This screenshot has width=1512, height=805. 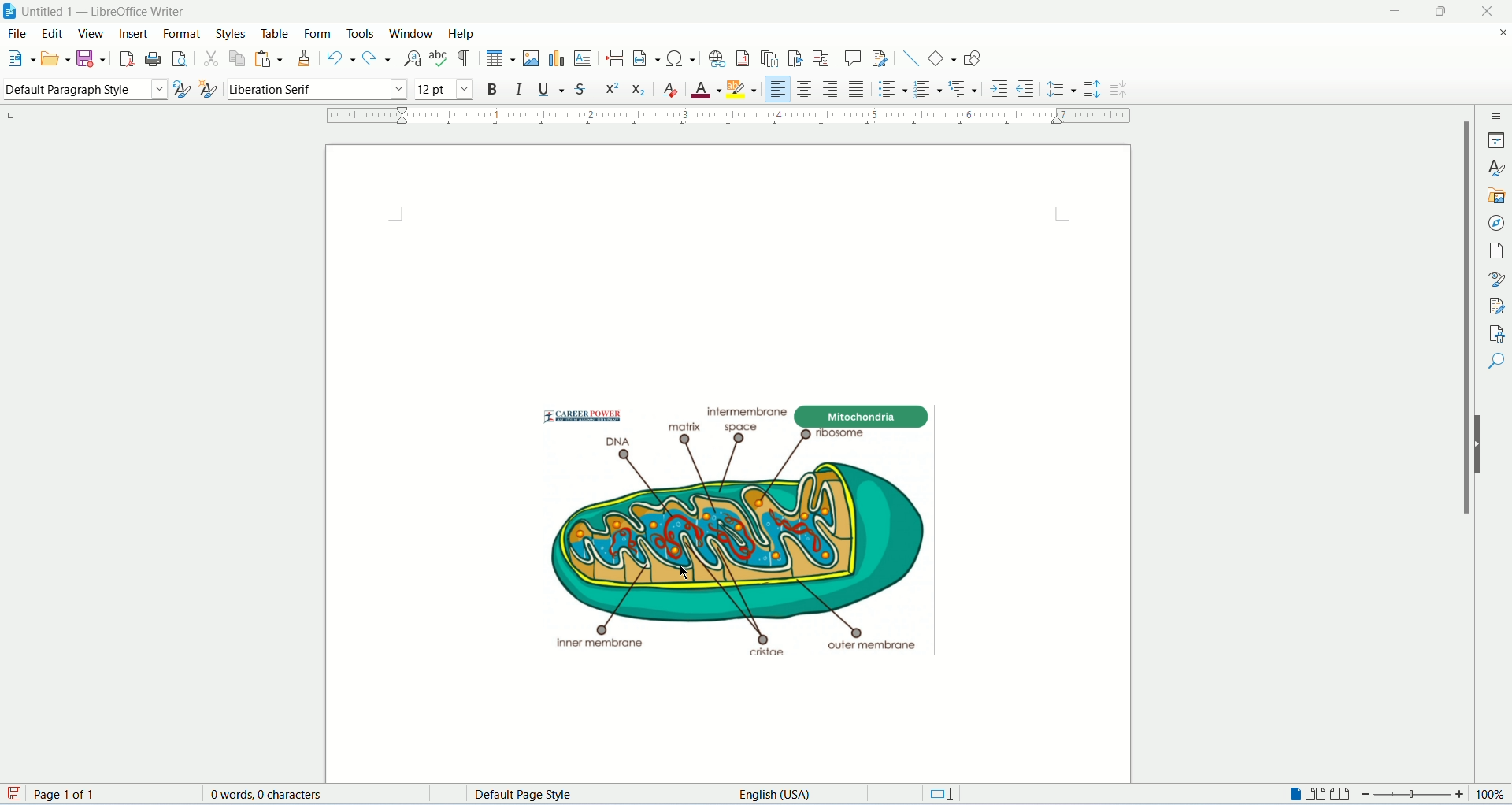 I want to click on book view, so click(x=1340, y=795).